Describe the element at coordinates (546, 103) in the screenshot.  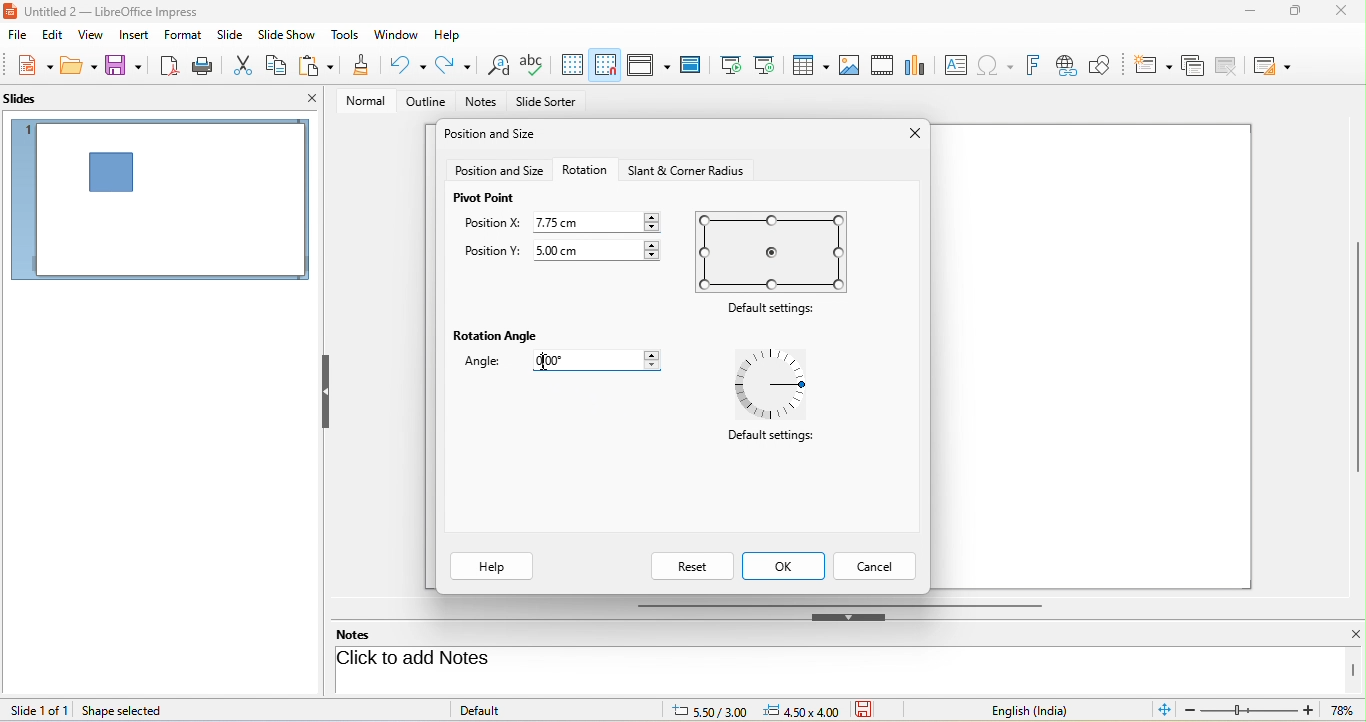
I see `slide sorter` at that location.